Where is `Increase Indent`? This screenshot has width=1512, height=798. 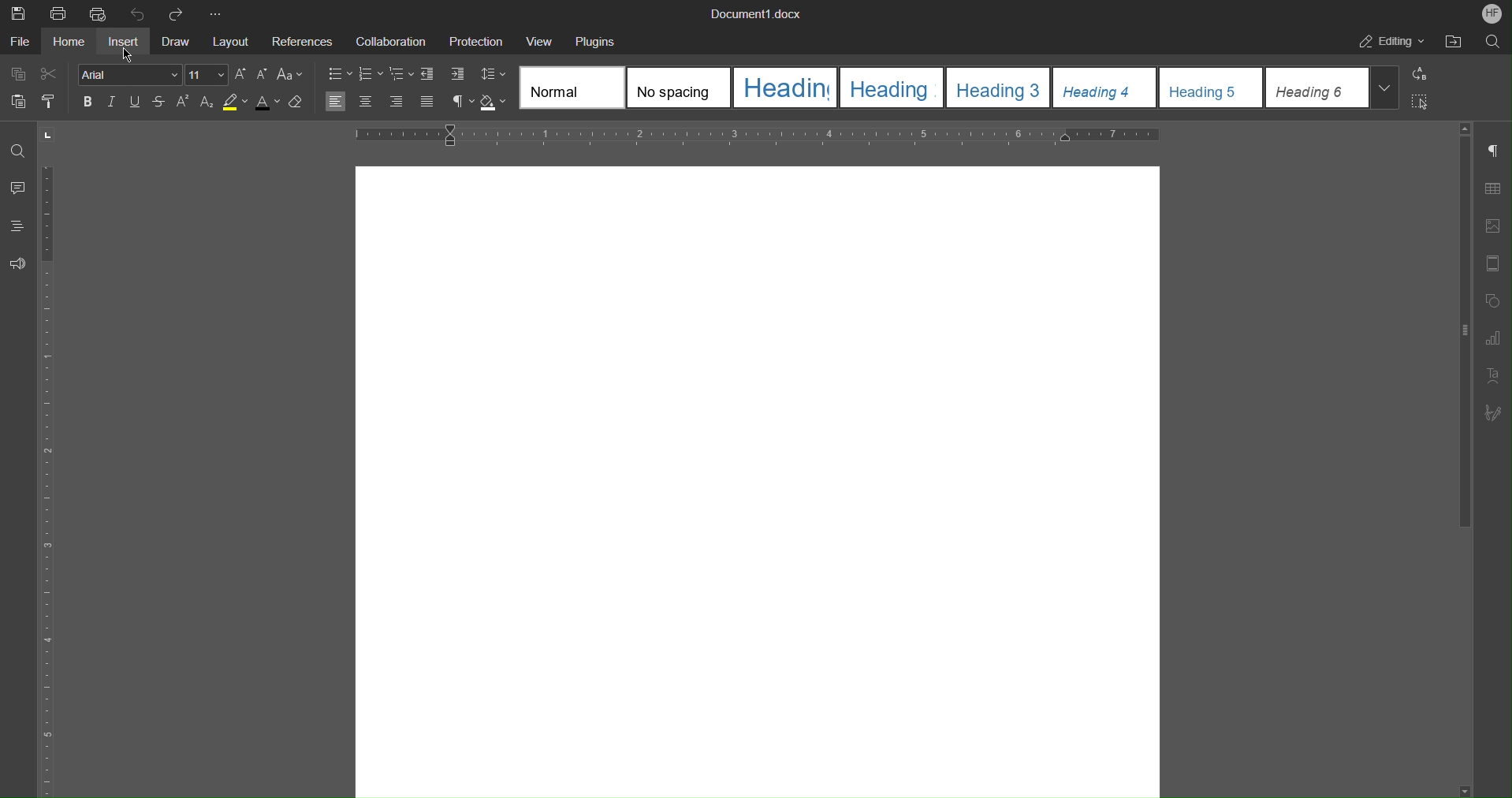 Increase Indent is located at coordinates (456, 76).